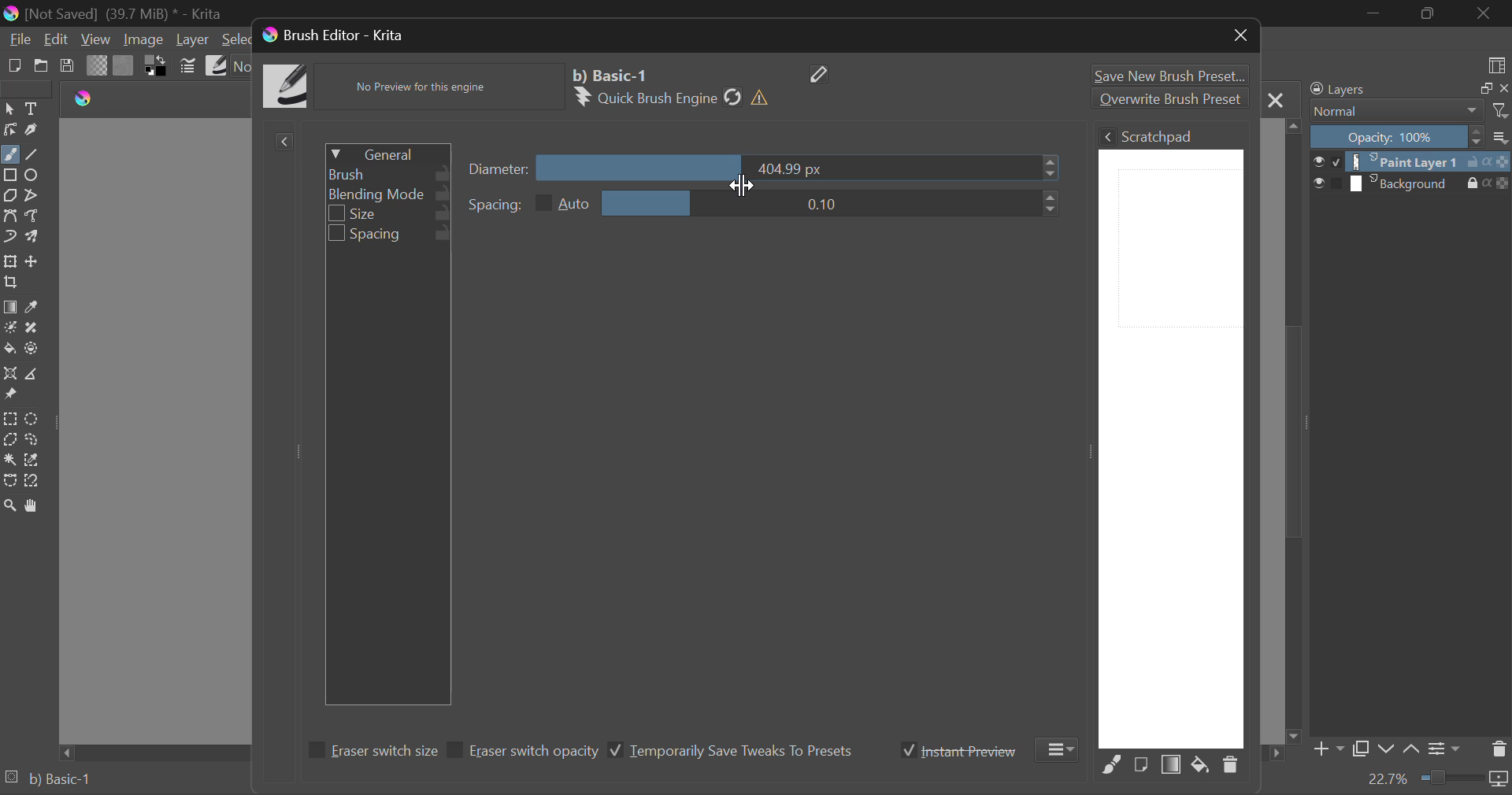 This screenshot has height=795, width=1512. What do you see at coordinates (9, 237) in the screenshot?
I see `Dynamic Brush` at bounding box center [9, 237].